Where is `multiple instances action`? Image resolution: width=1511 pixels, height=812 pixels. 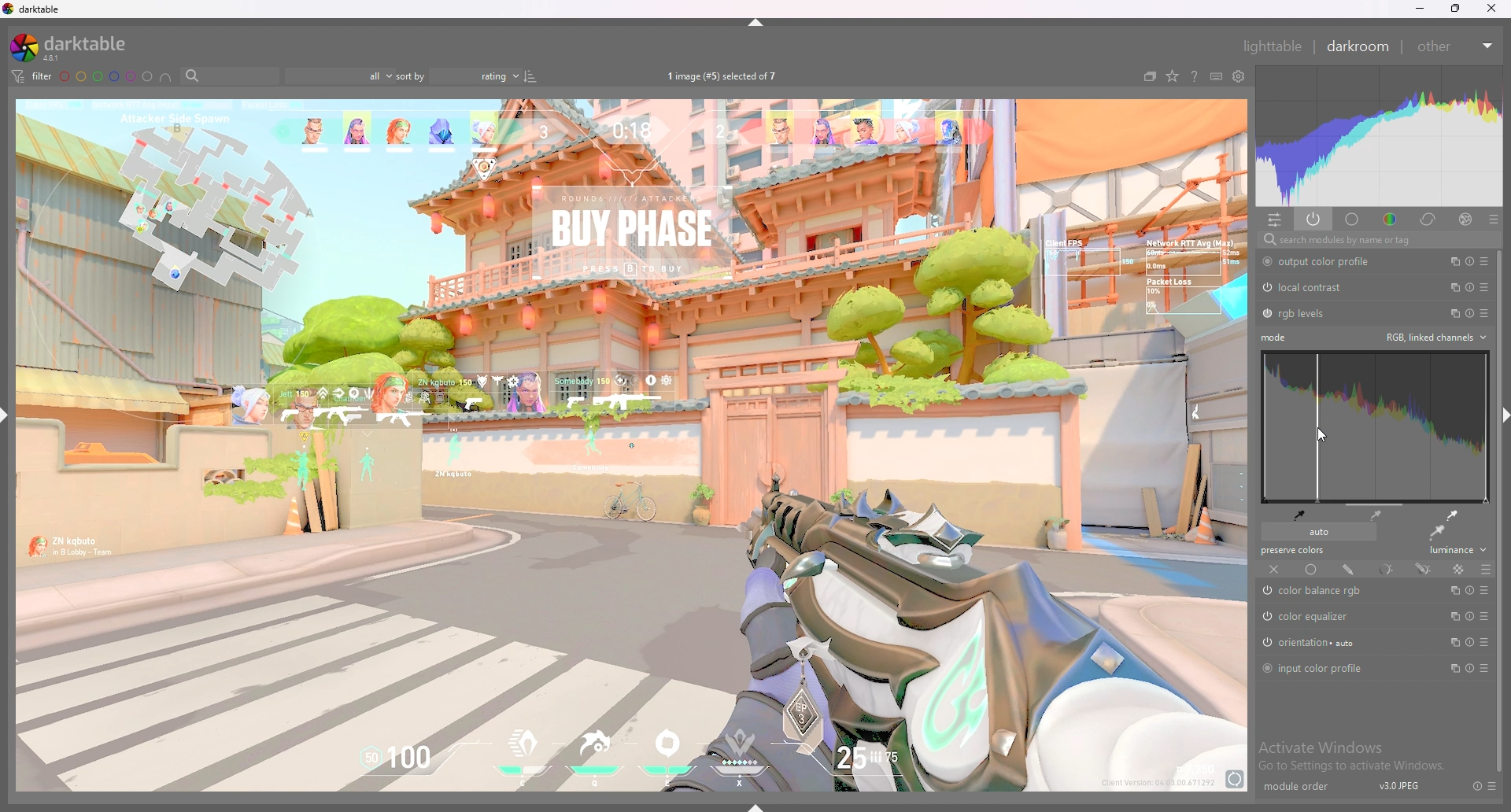
multiple instances action is located at coordinates (1450, 261).